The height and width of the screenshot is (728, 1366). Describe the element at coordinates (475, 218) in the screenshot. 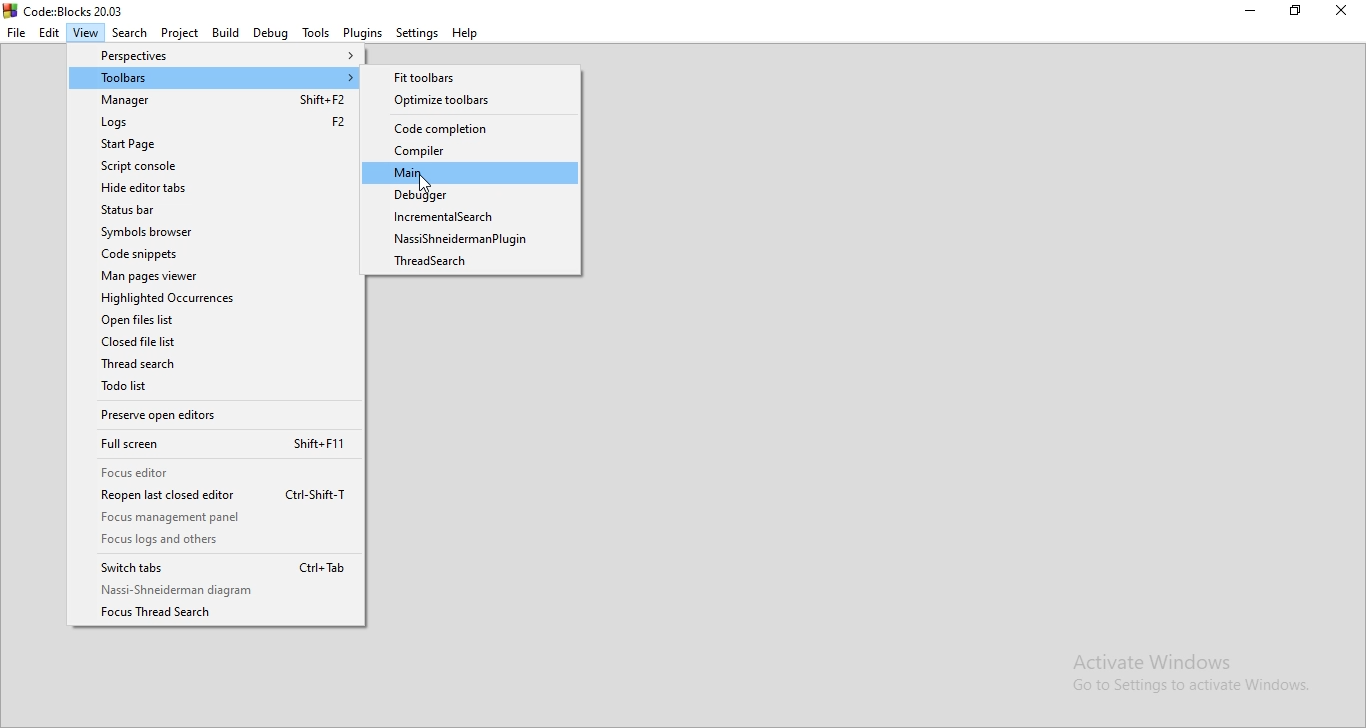

I see `IncrementalSearch` at that location.